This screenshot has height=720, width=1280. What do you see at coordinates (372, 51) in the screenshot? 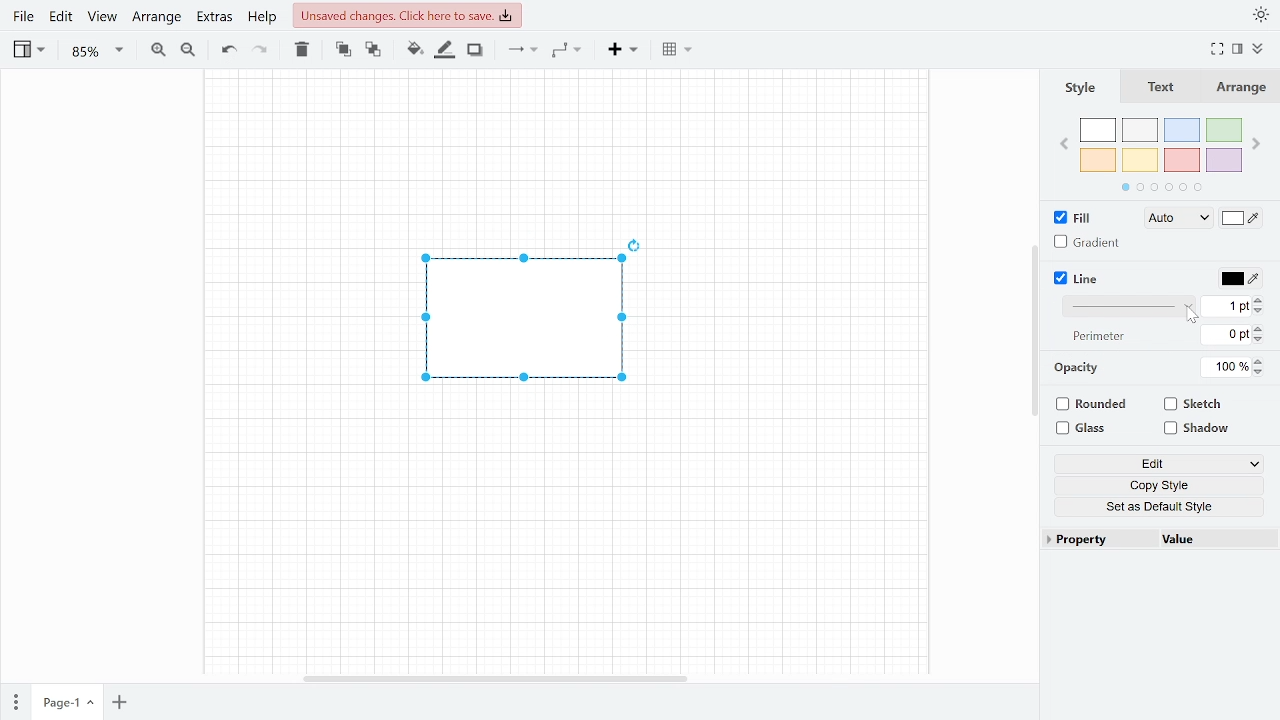
I see `To back` at bounding box center [372, 51].